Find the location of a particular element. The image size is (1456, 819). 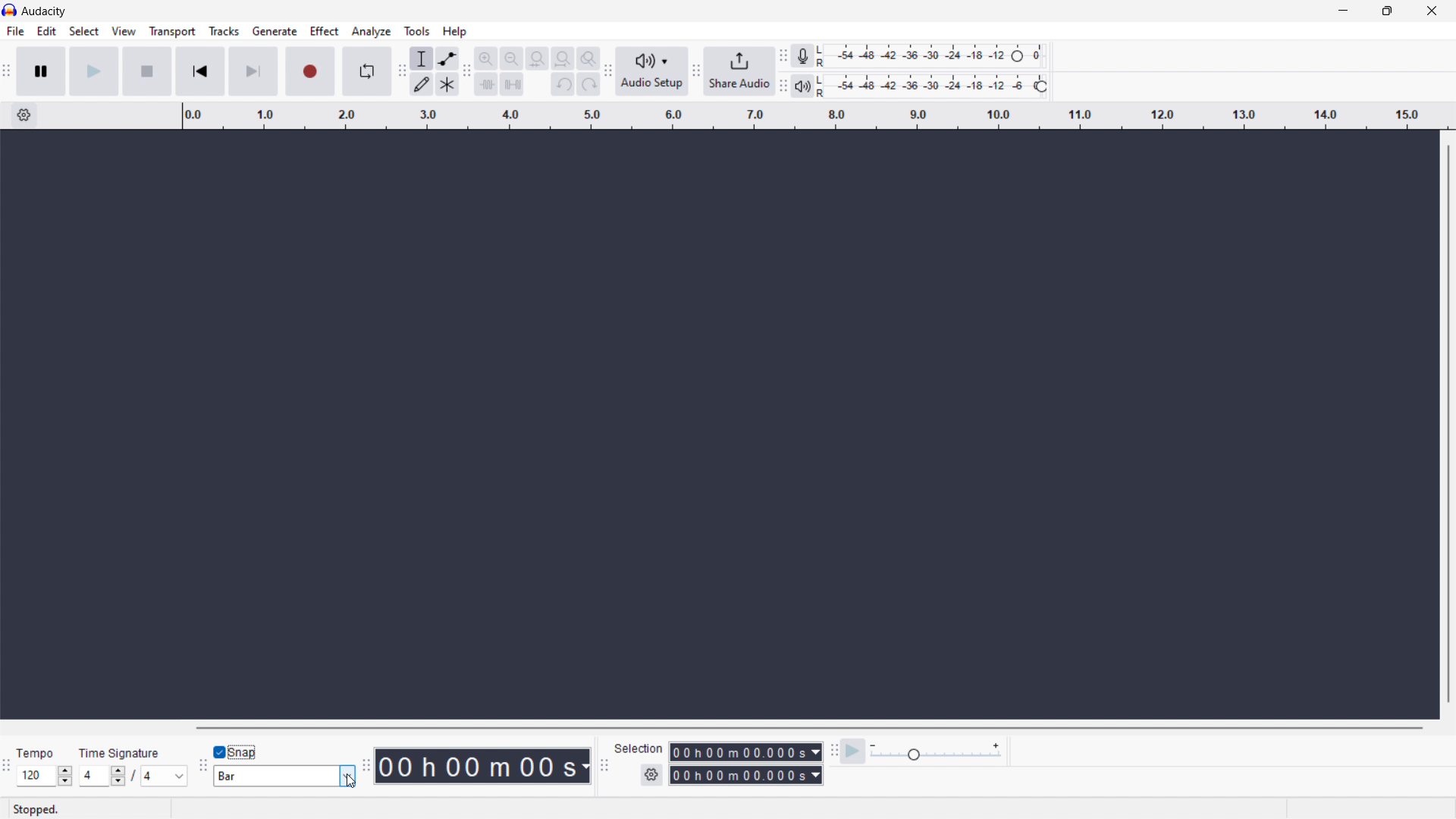

stop is located at coordinates (146, 72).